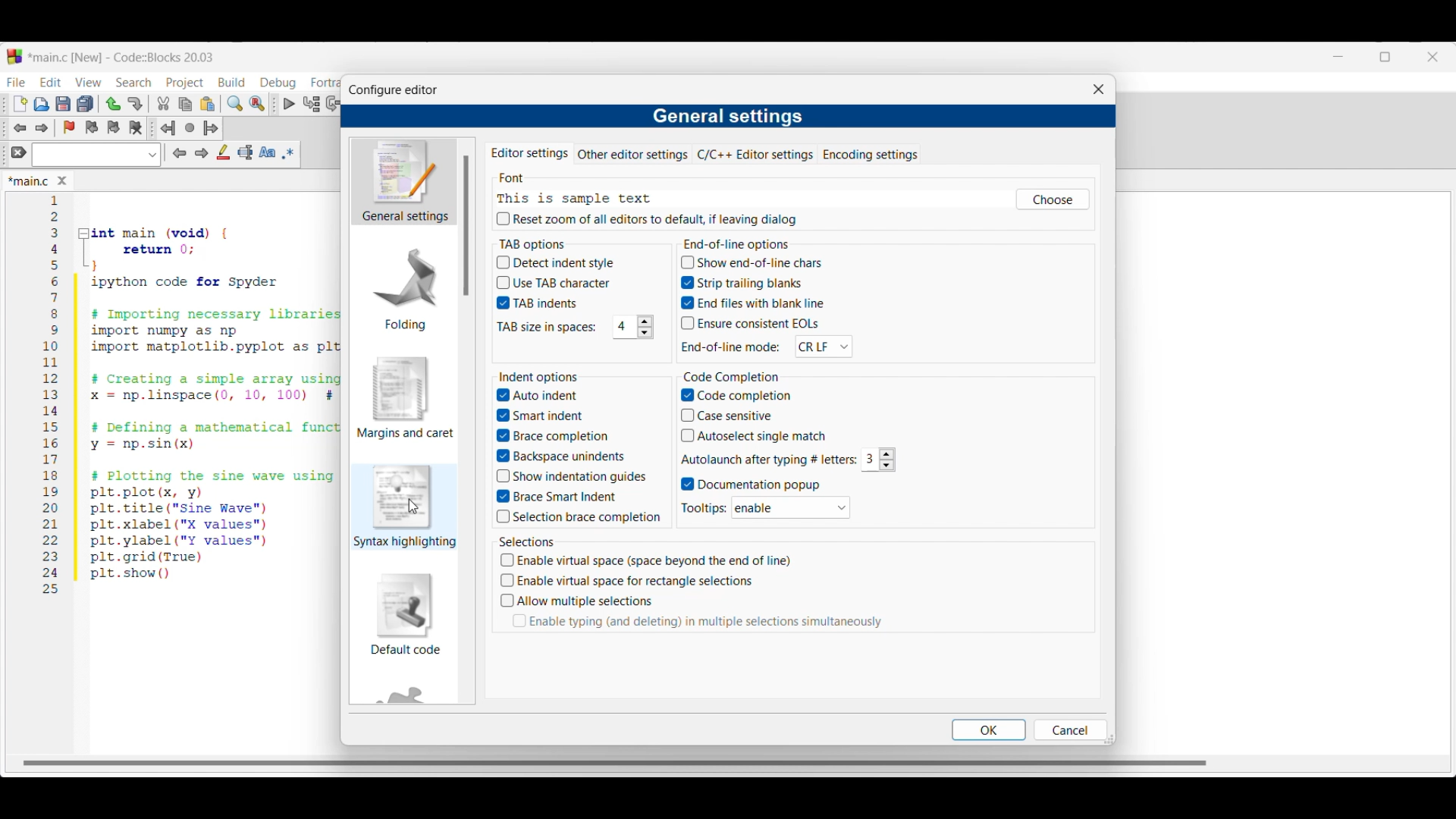  What do you see at coordinates (16, 82) in the screenshot?
I see `File menu` at bounding box center [16, 82].